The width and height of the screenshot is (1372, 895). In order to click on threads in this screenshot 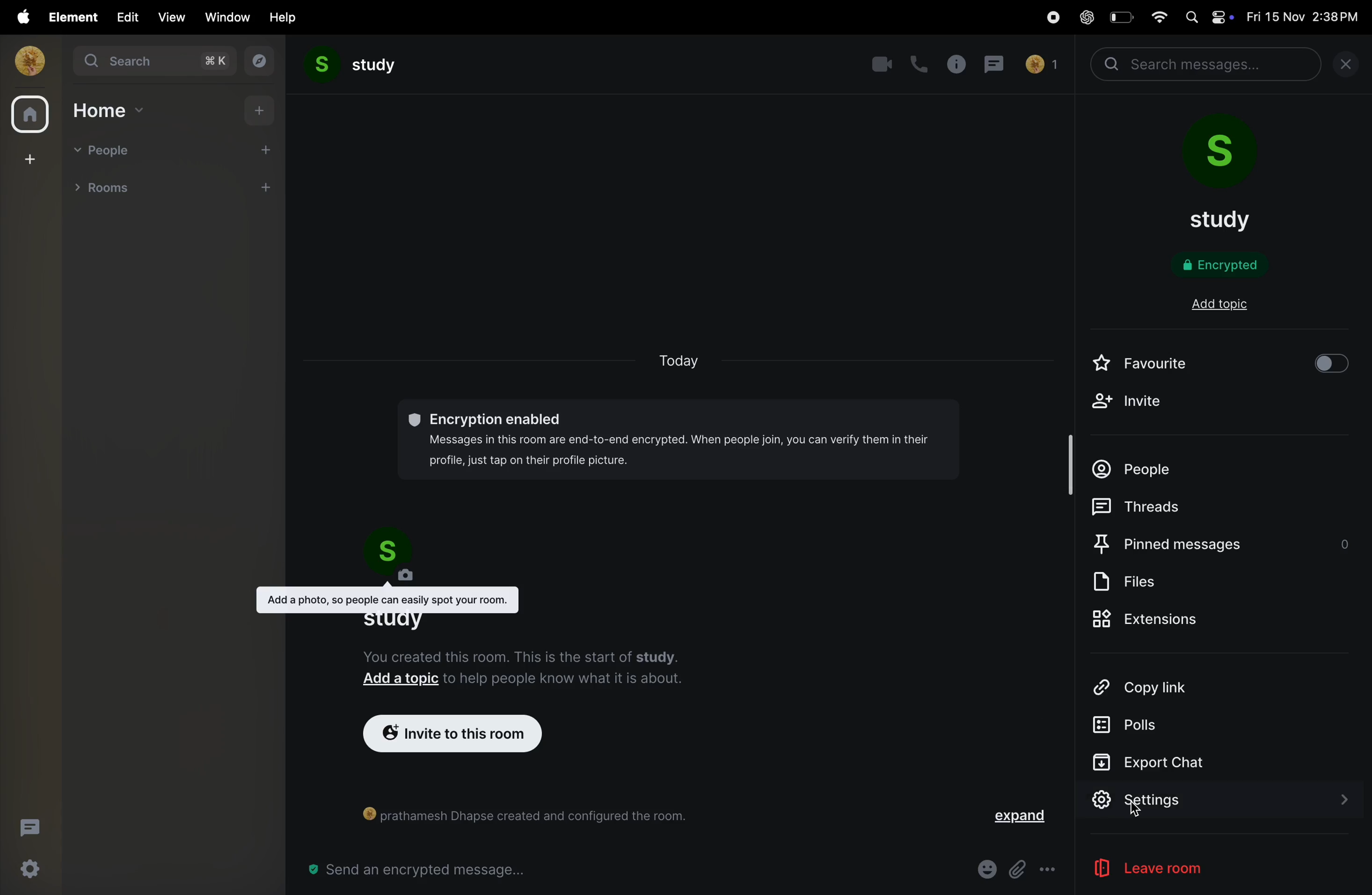, I will do `click(1137, 506)`.